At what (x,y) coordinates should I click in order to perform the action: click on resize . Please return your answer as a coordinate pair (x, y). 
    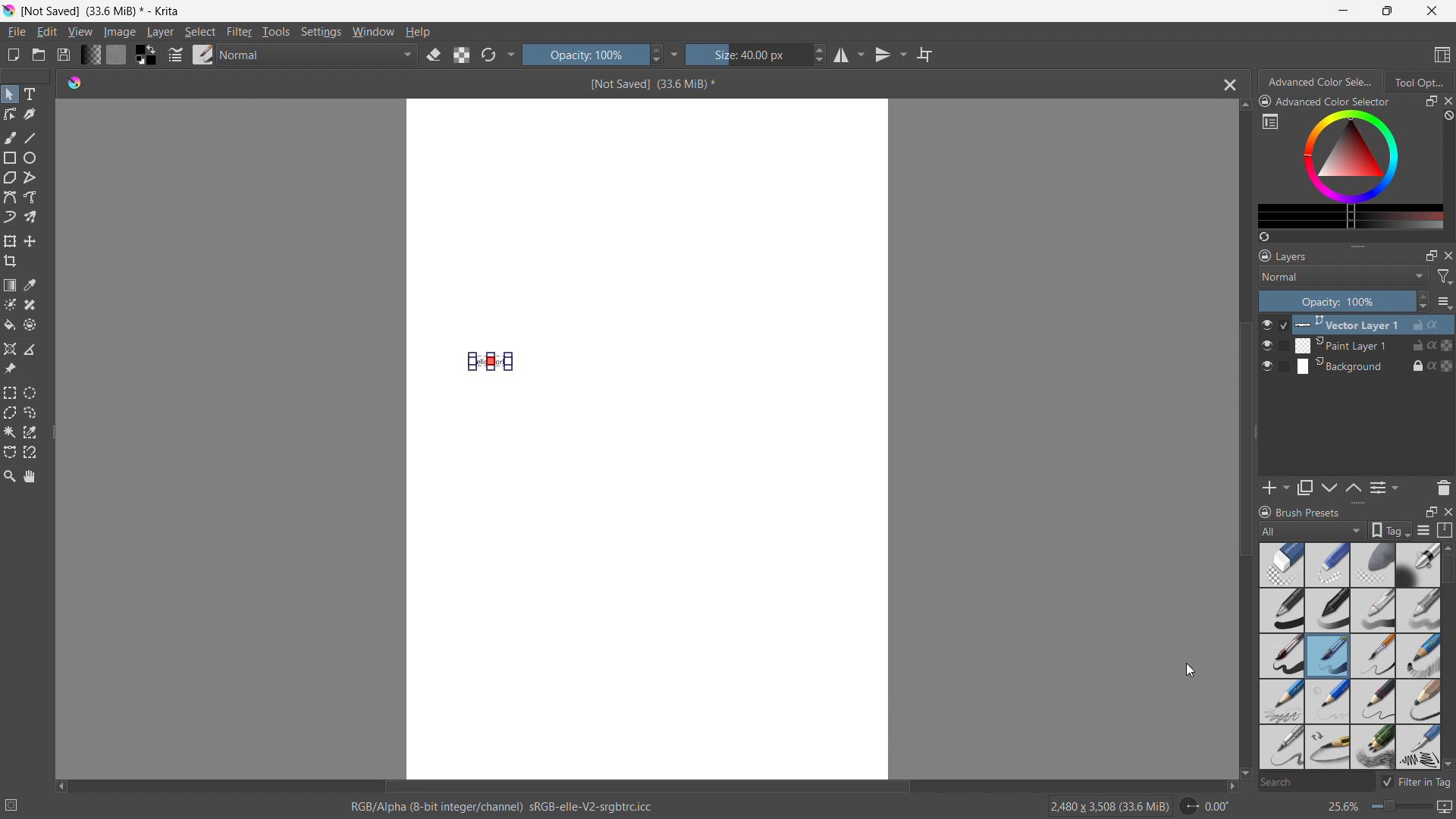
    Looking at the image, I should click on (1357, 504).